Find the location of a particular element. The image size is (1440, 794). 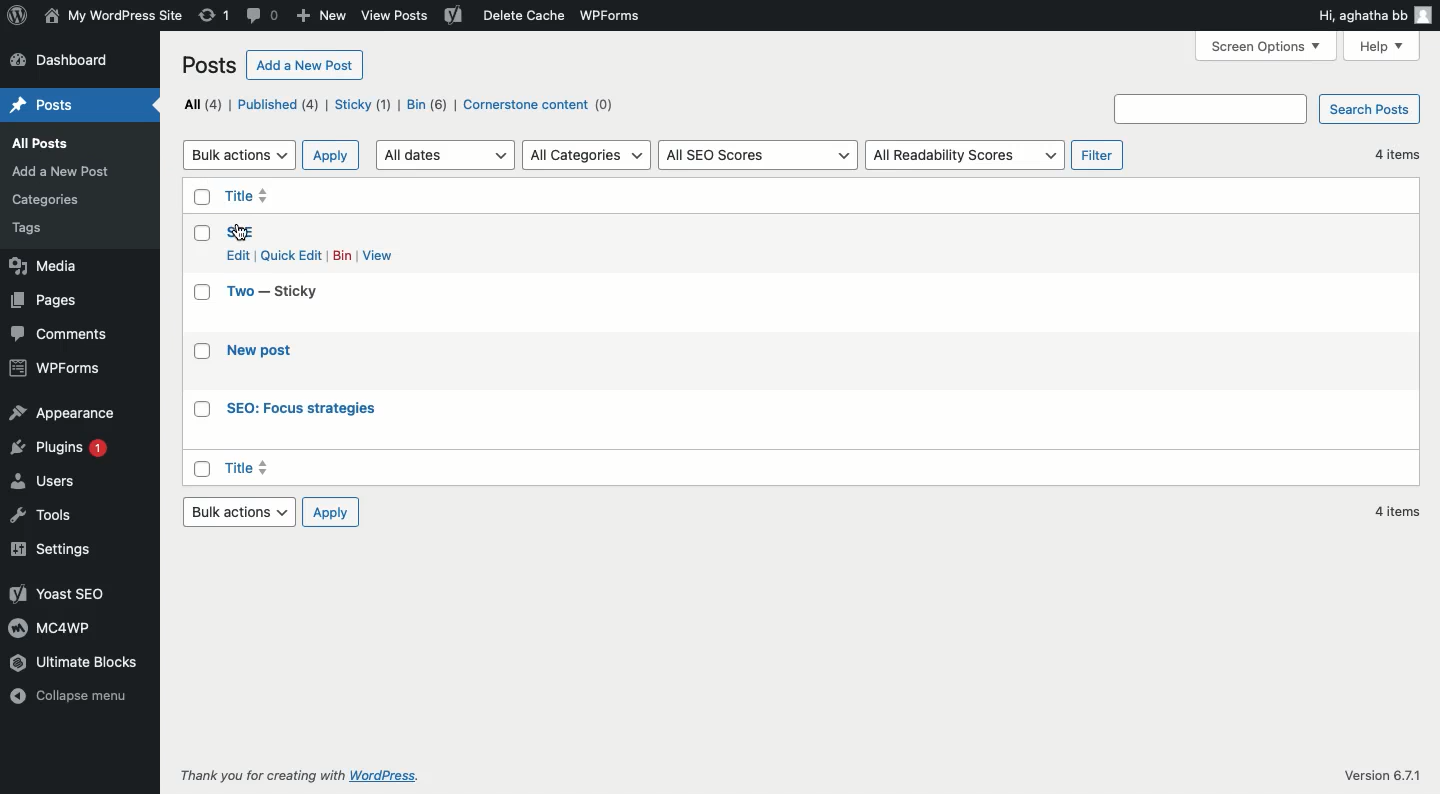

Sticky is located at coordinates (293, 292).